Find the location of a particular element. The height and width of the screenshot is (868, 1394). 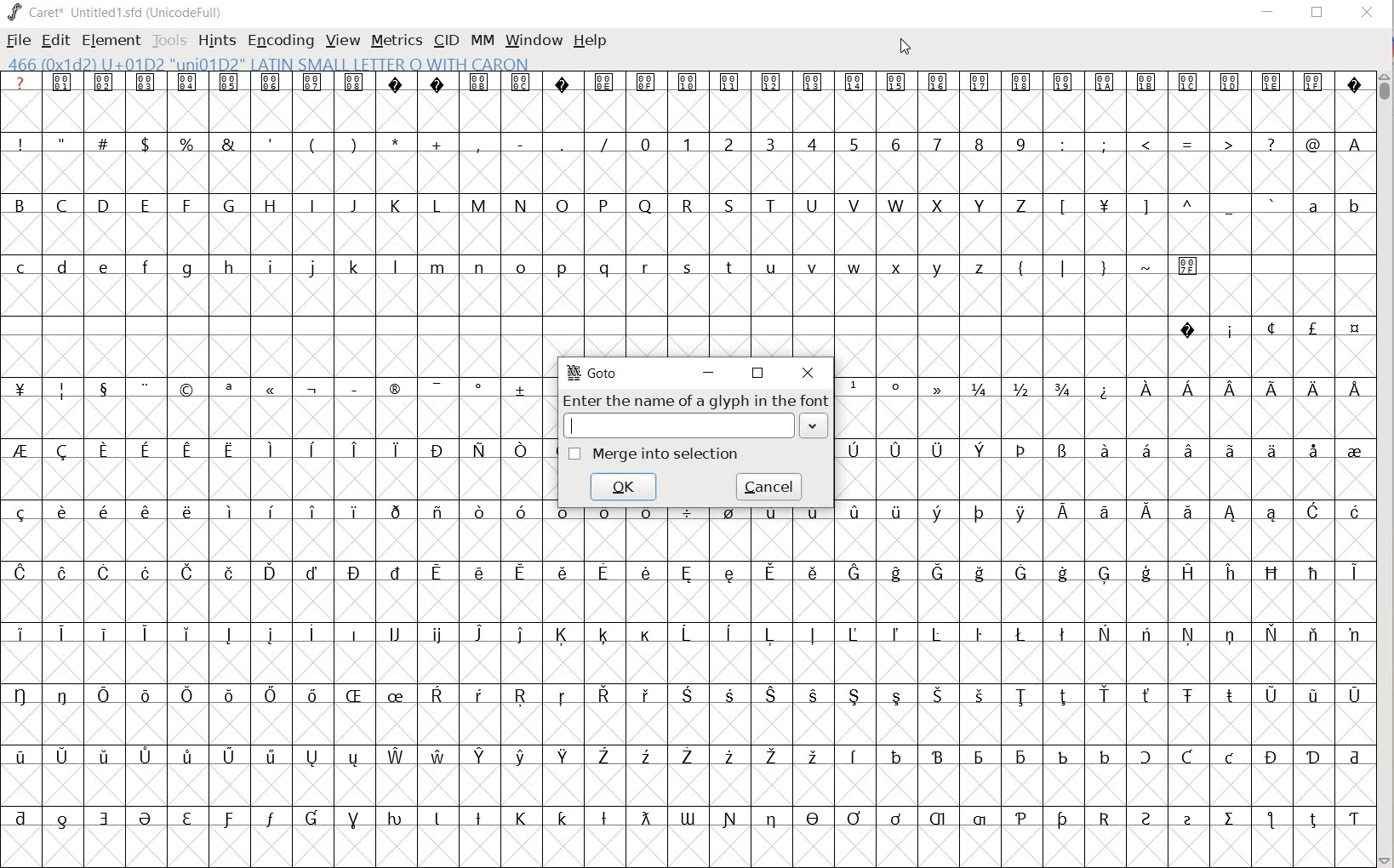

CLOSE is located at coordinates (808, 374).